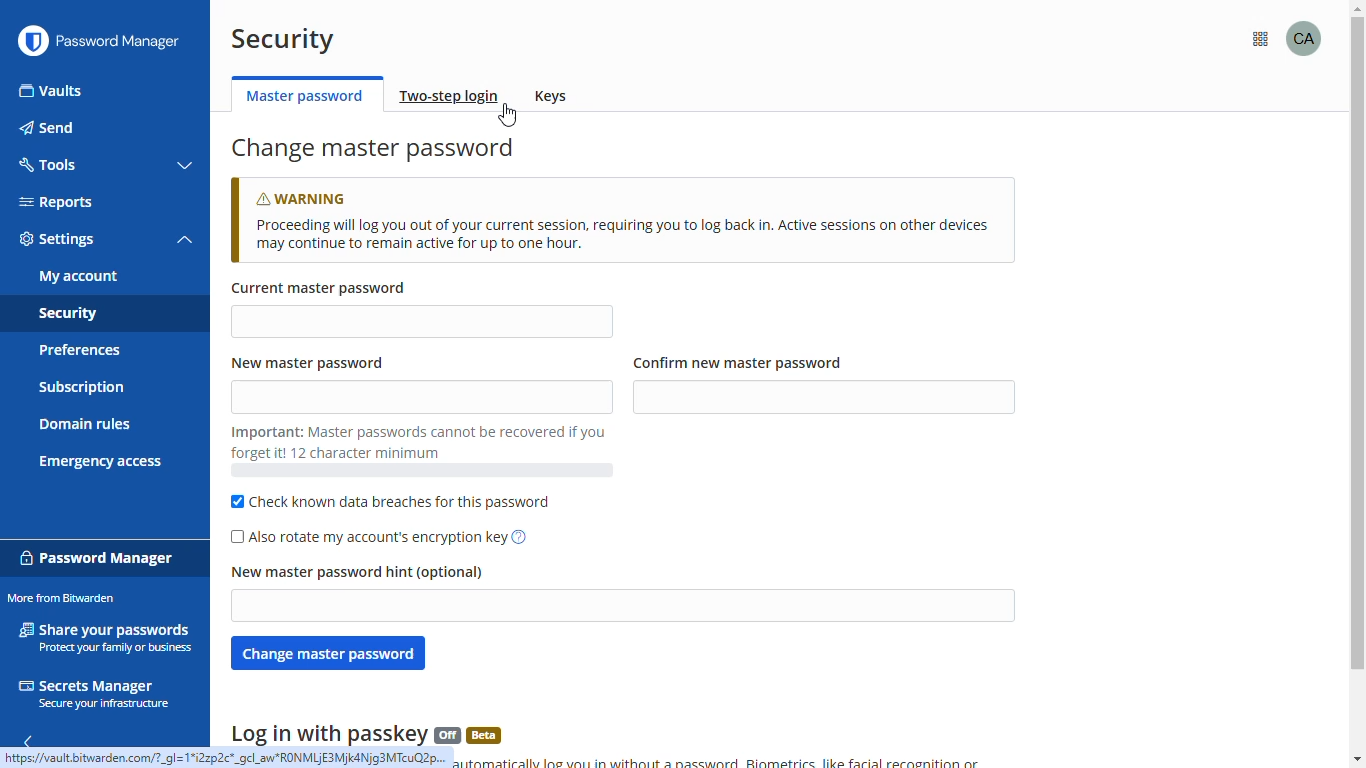  What do you see at coordinates (58, 240) in the screenshot?
I see `settings` at bounding box center [58, 240].